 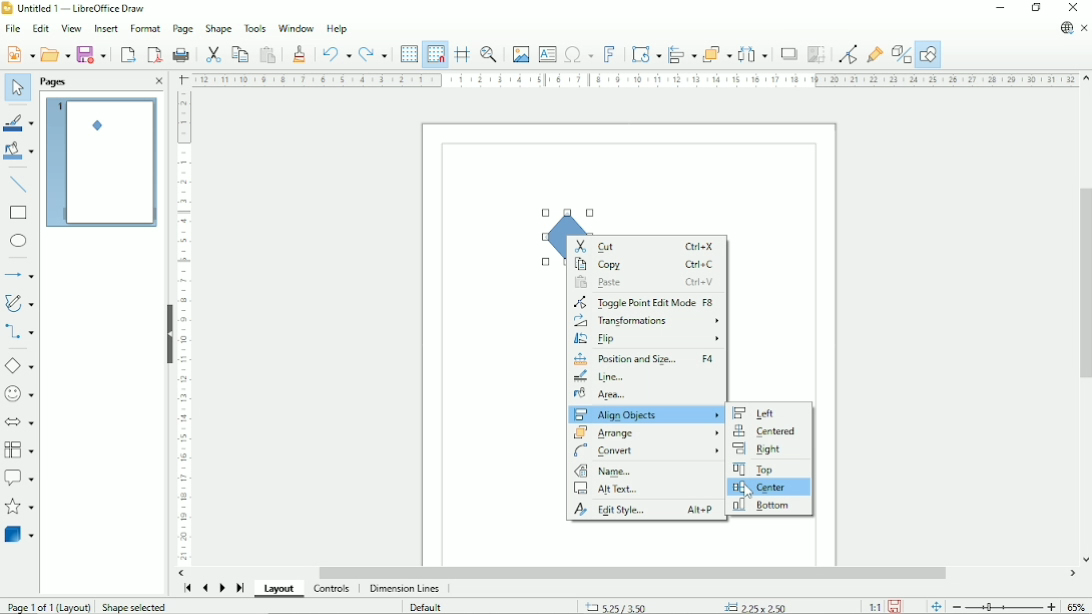 I want to click on Top, so click(x=753, y=469).